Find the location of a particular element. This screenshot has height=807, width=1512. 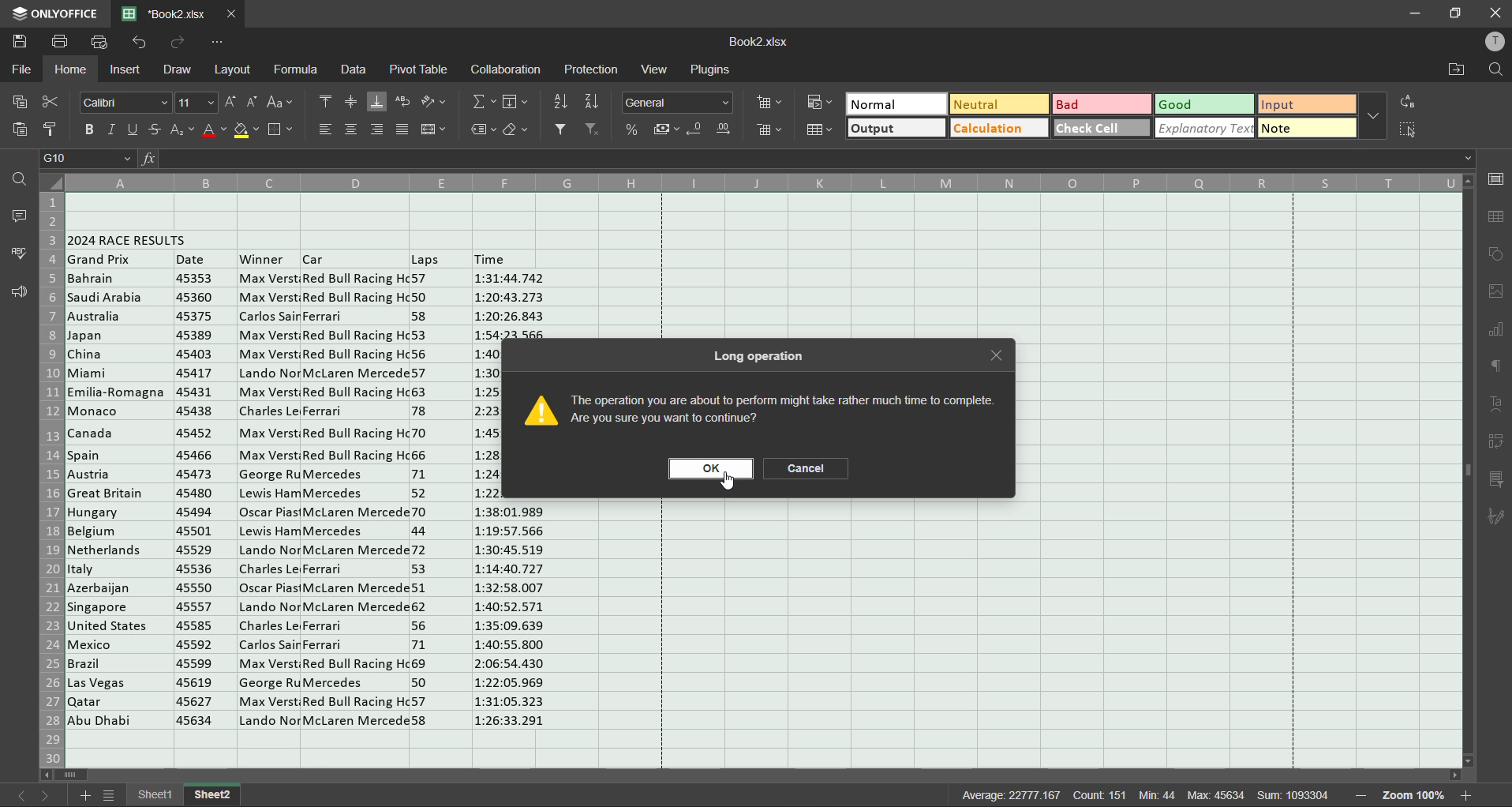

date is located at coordinates (196, 259).